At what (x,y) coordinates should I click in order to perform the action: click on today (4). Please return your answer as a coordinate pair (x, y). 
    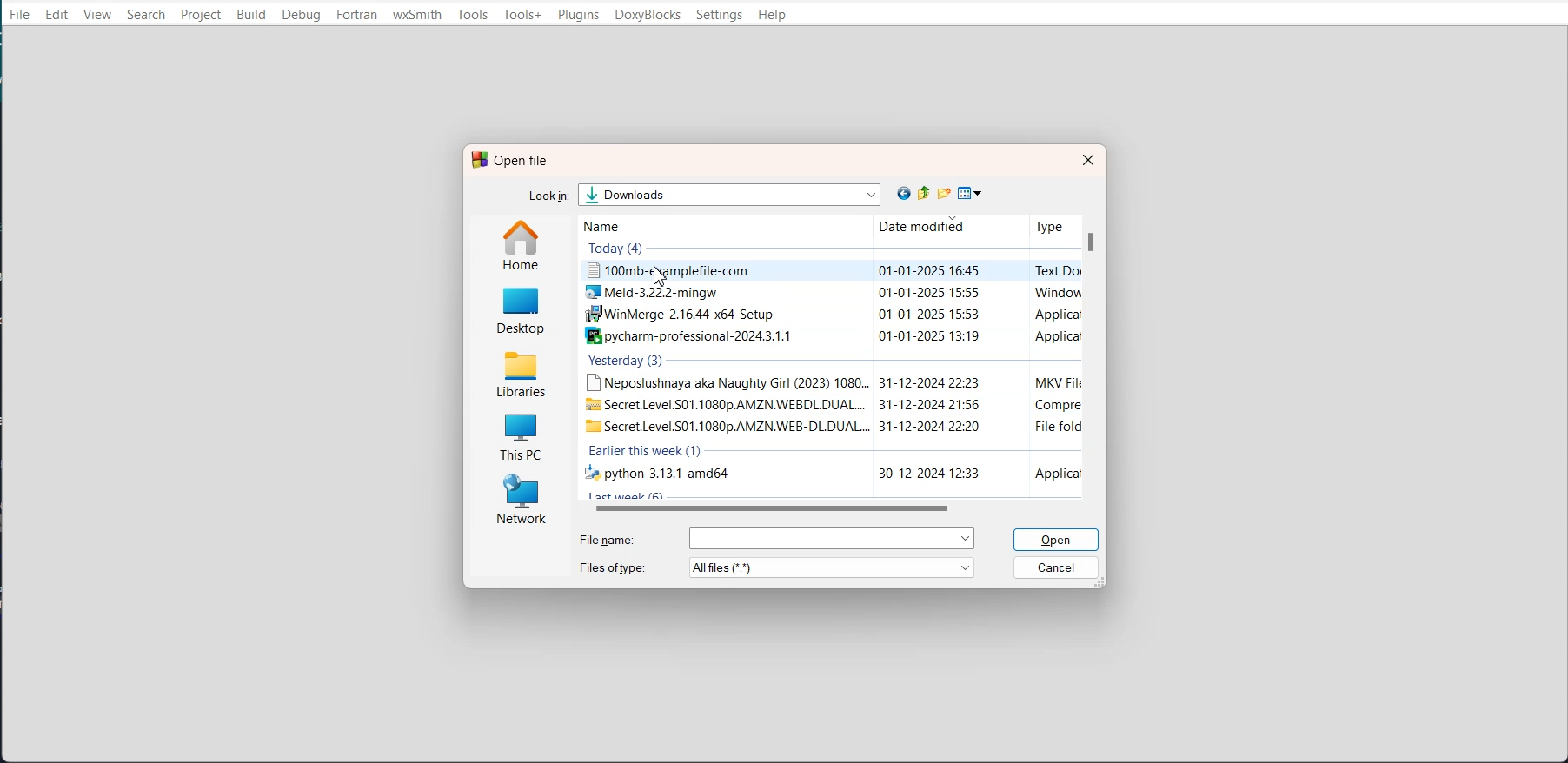
    Looking at the image, I should click on (618, 248).